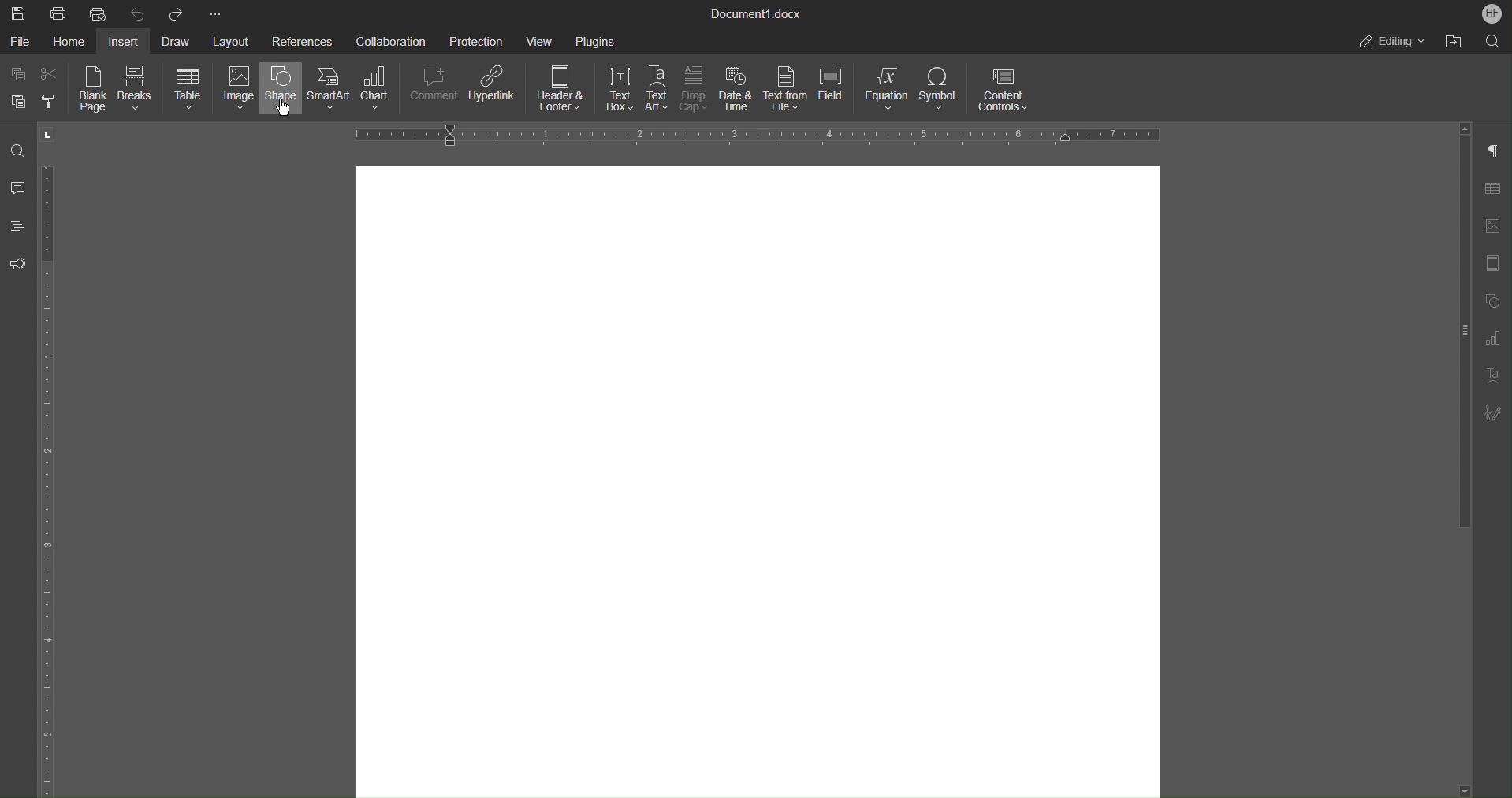 Image resolution: width=1512 pixels, height=798 pixels. What do you see at coordinates (331, 90) in the screenshot?
I see `SmartArt` at bounding box center [331, 90].